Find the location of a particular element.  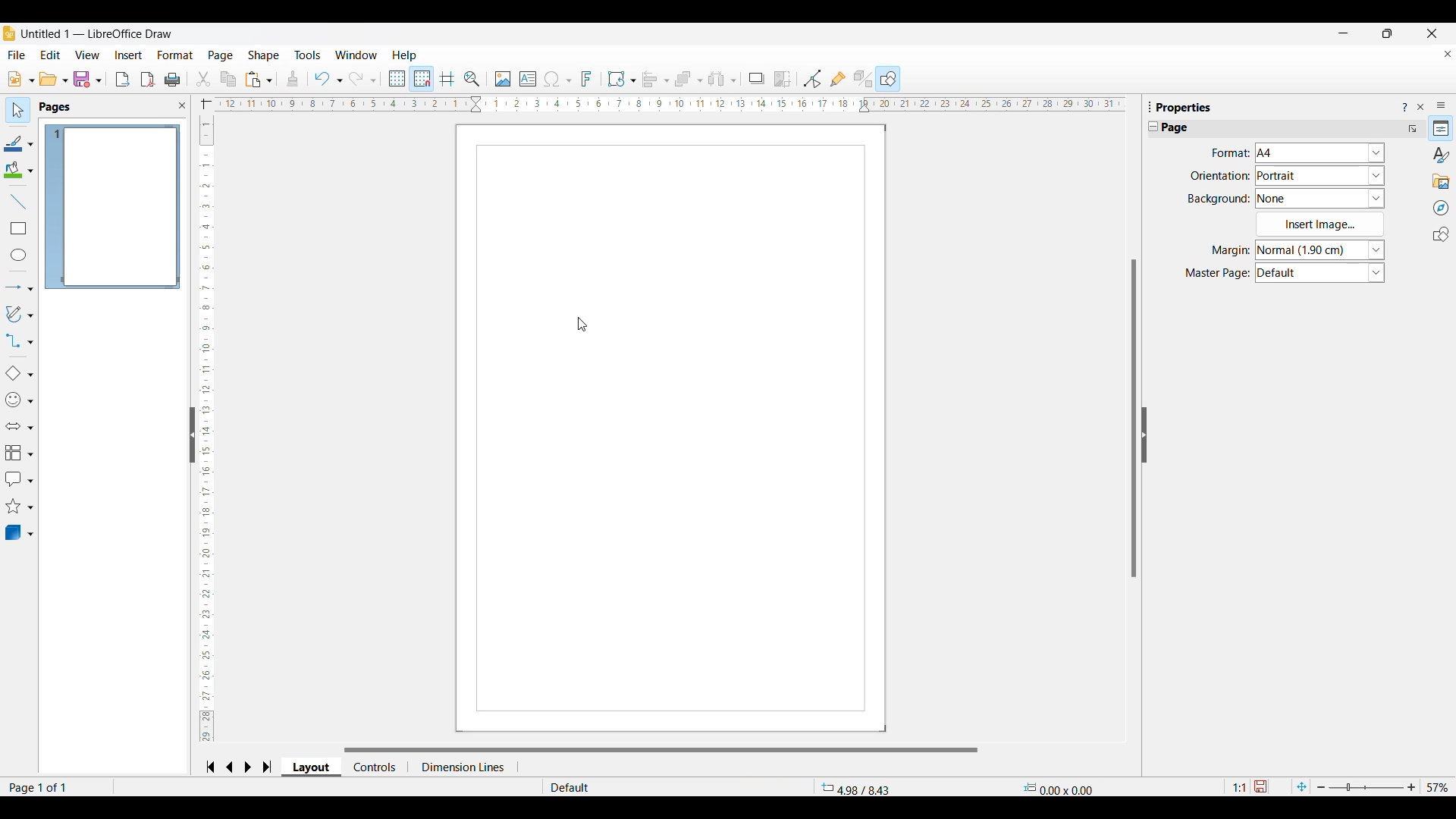

Insert text box is located at coordinates (528, 79).